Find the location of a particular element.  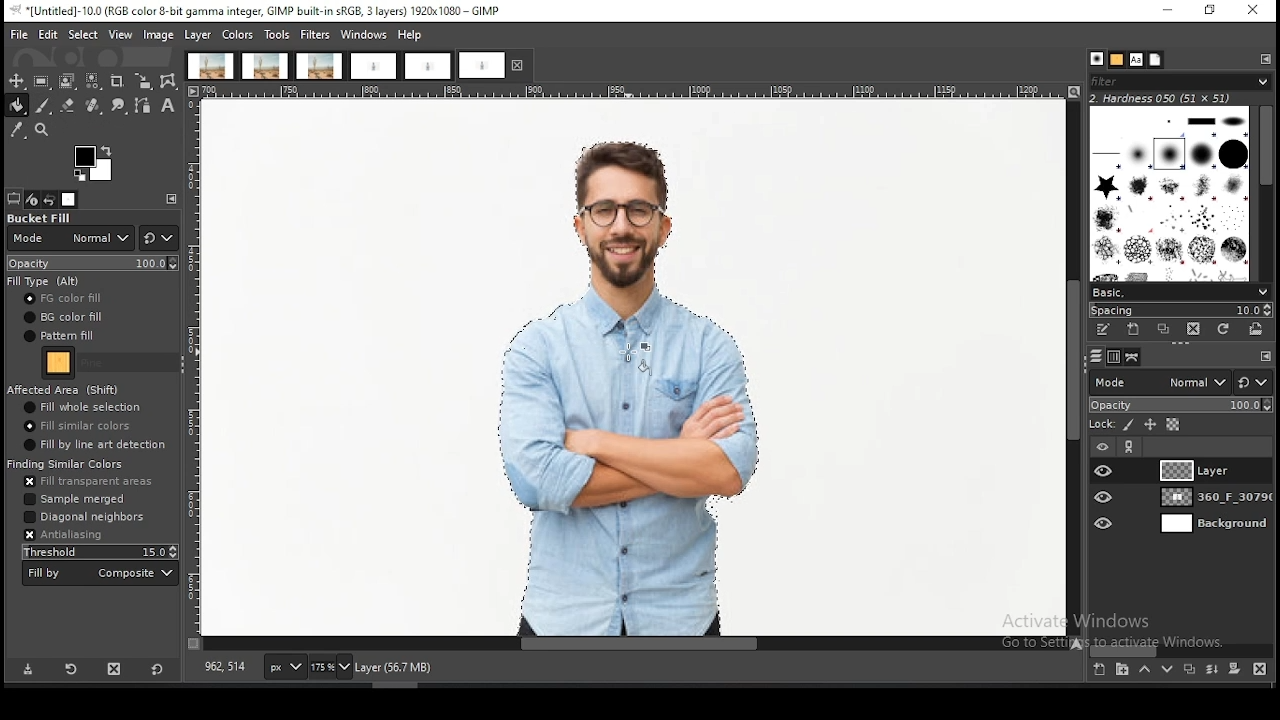

undo history is located at coordinates (49, 200).